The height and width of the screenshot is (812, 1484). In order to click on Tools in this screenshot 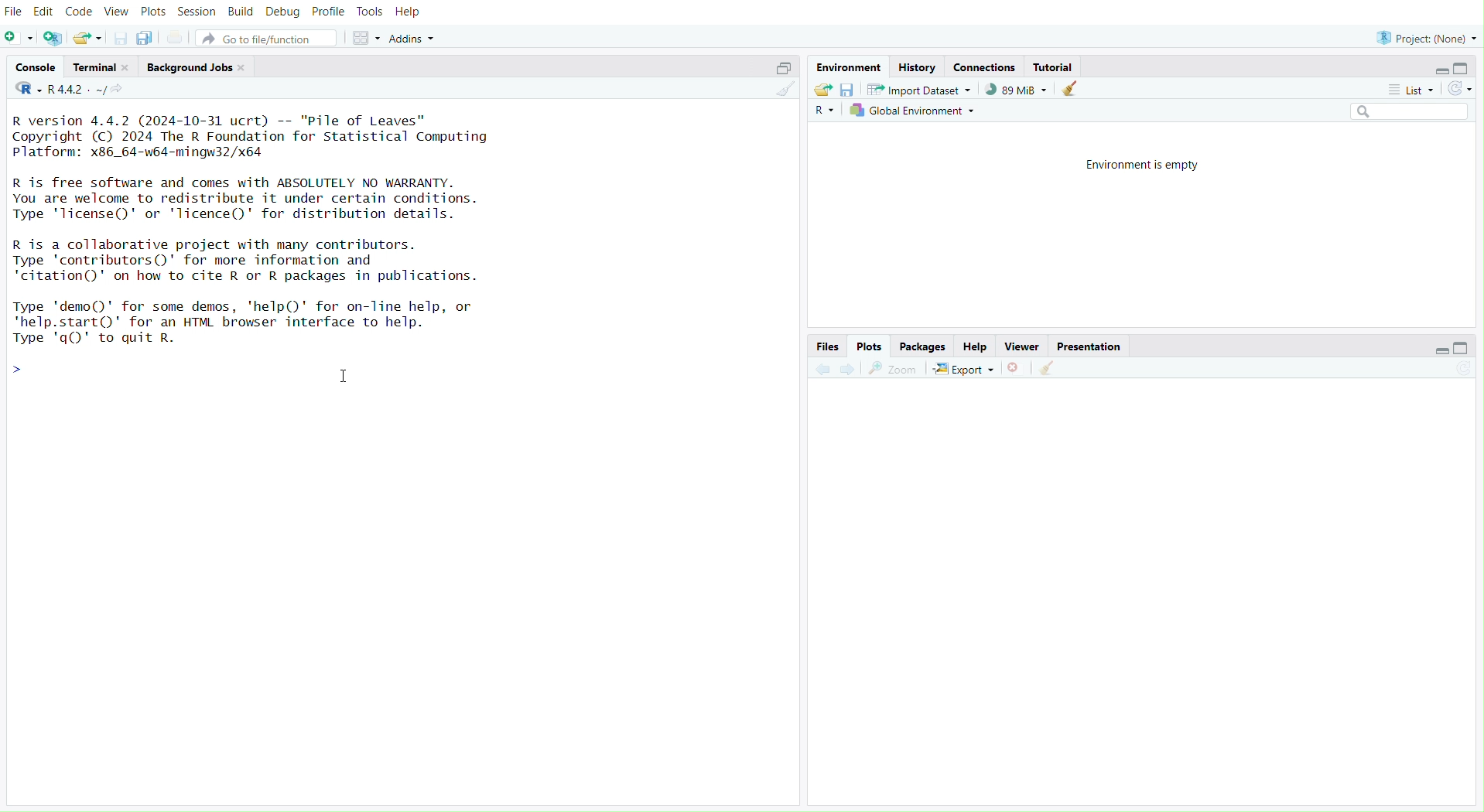, I will do `click(369, 12)`.